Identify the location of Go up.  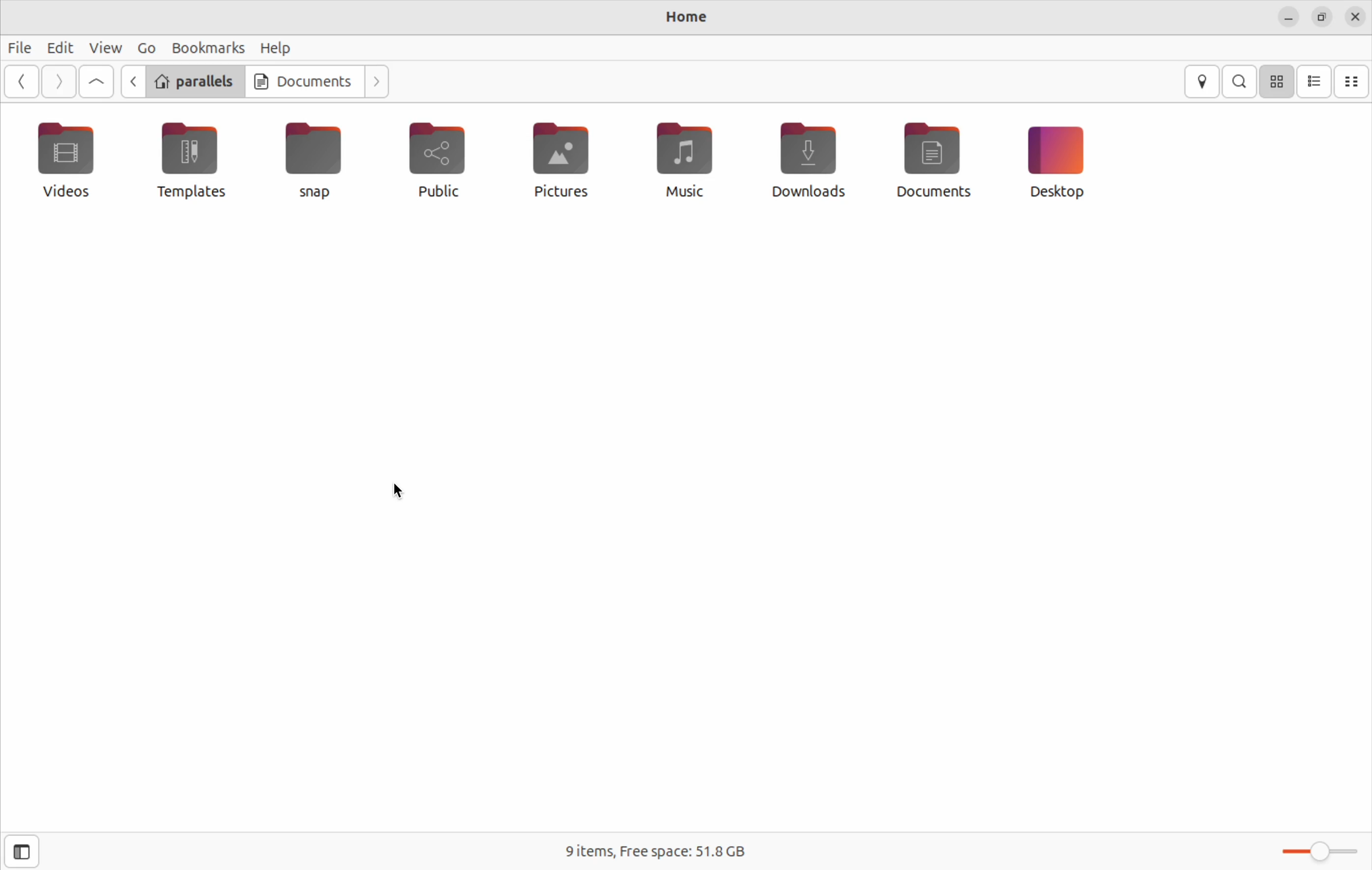
(96, 82).